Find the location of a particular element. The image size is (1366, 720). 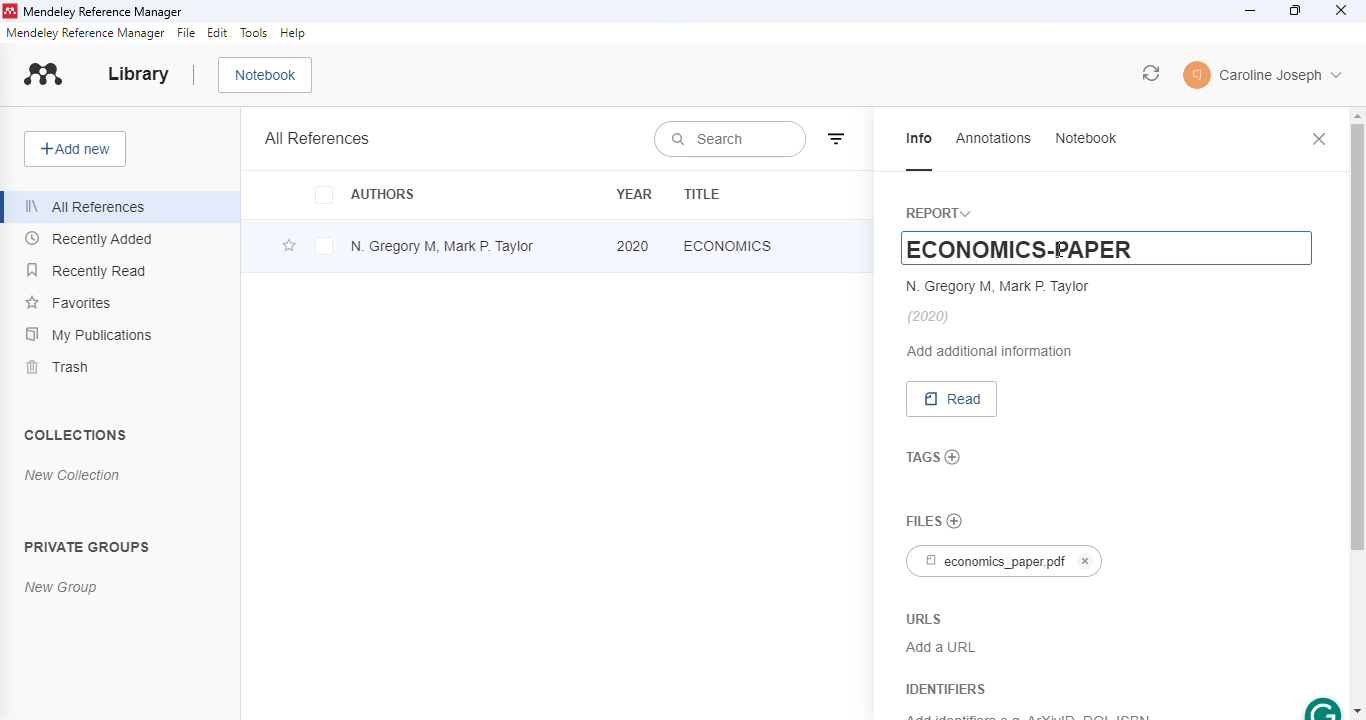

all references is located at coordinates (317, 137).